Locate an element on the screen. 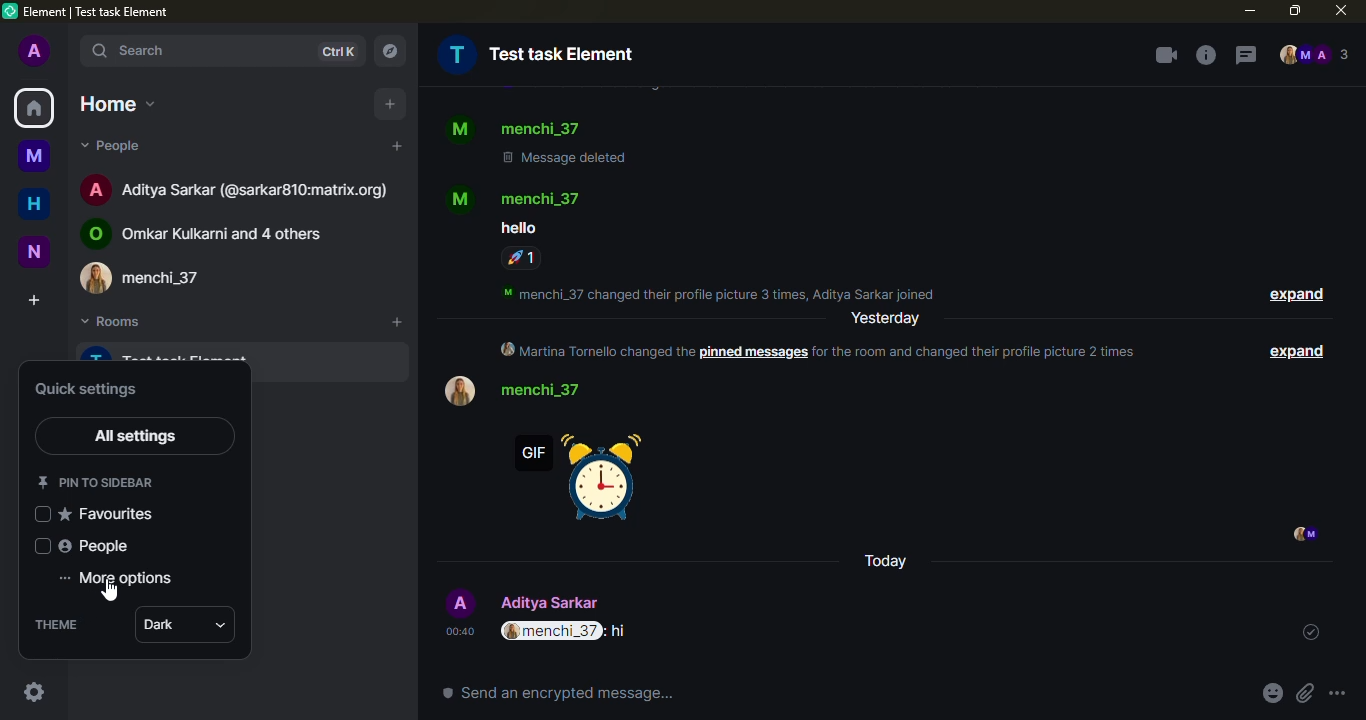 The image size is (1366, 720). quick settings is located at coordinates (86, 389).